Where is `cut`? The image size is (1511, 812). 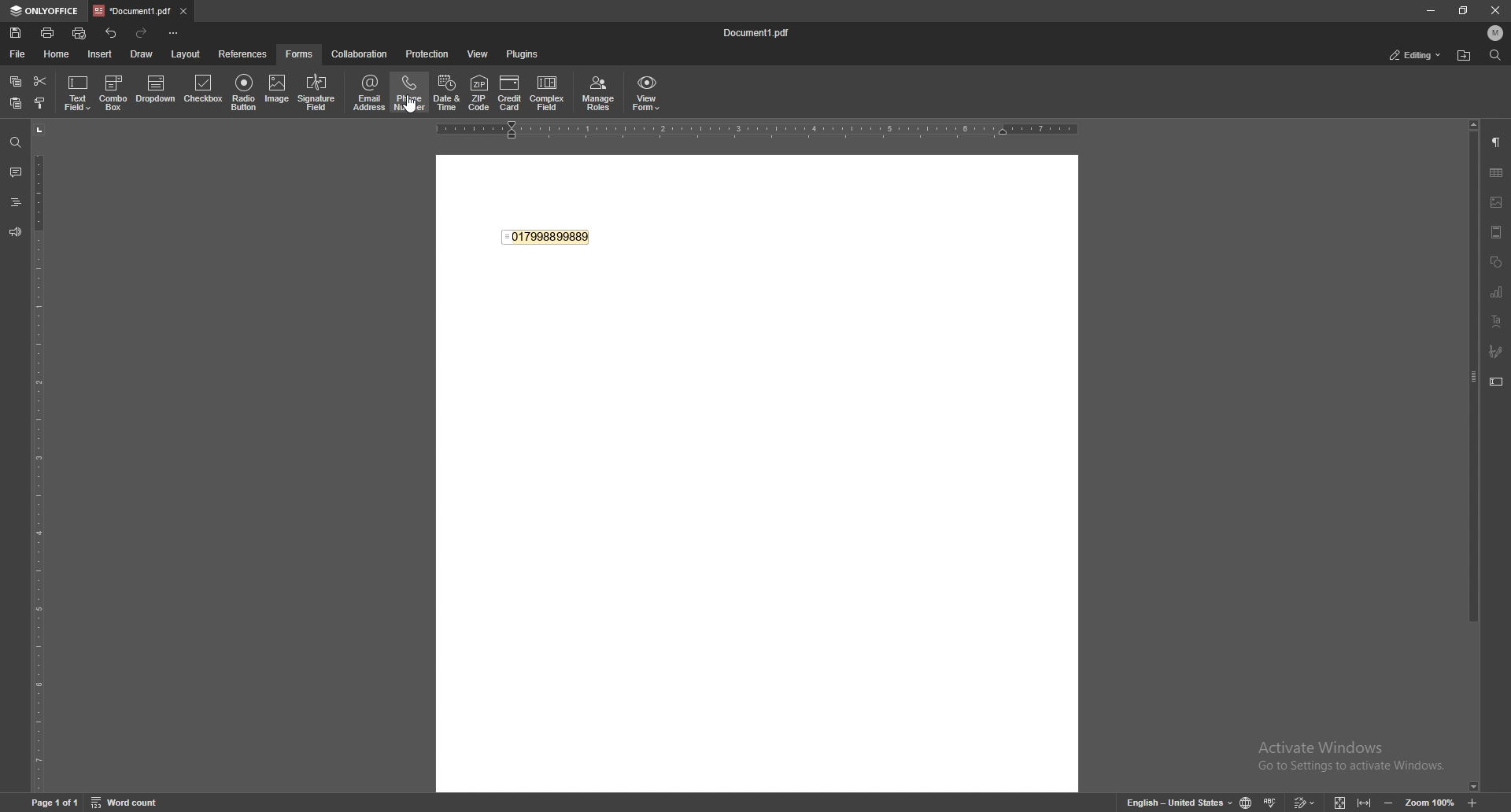 cut is located at coordinates (40, 81).